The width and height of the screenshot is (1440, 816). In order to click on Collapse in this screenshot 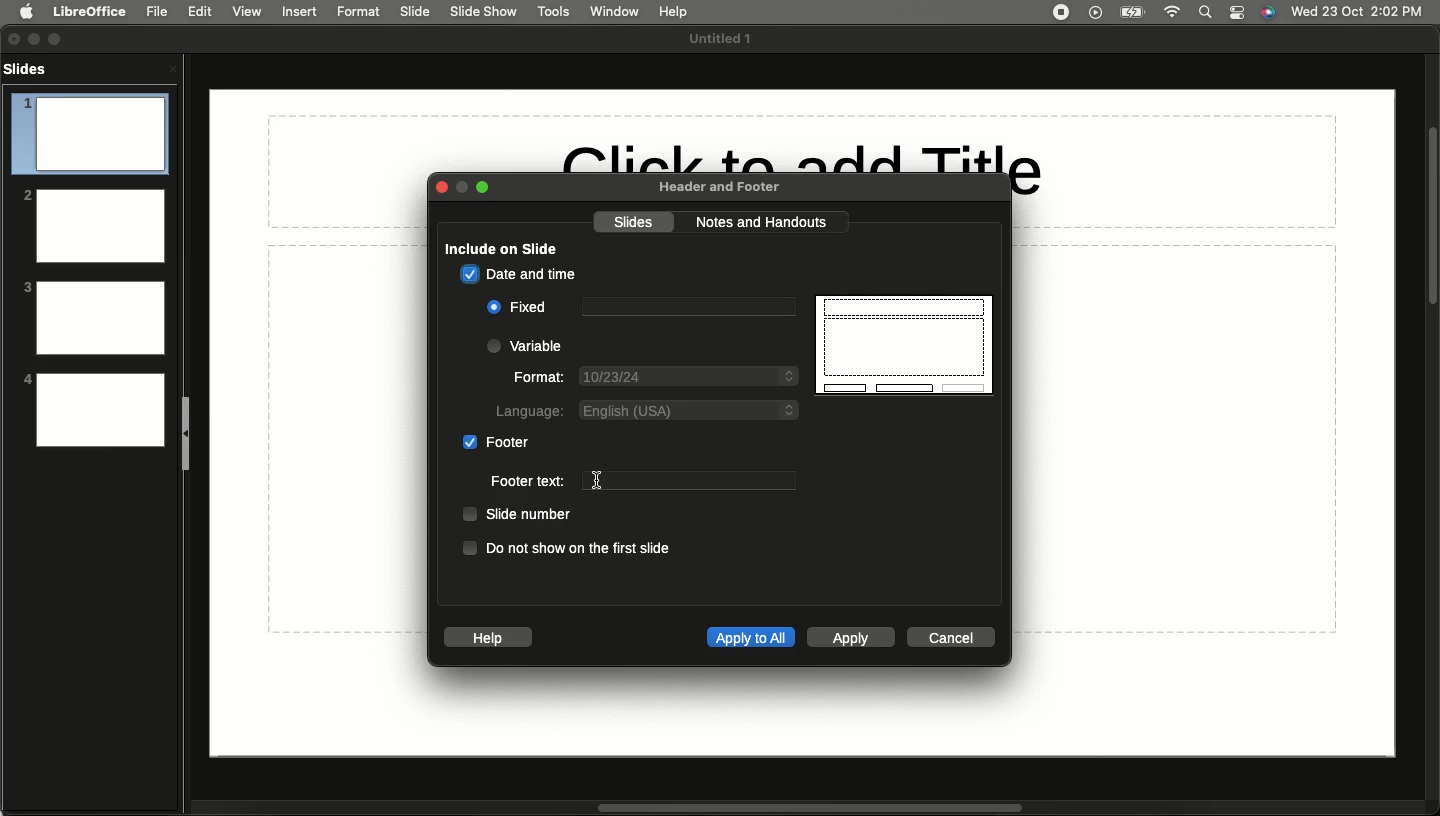, I will do `click(188, 432)`.